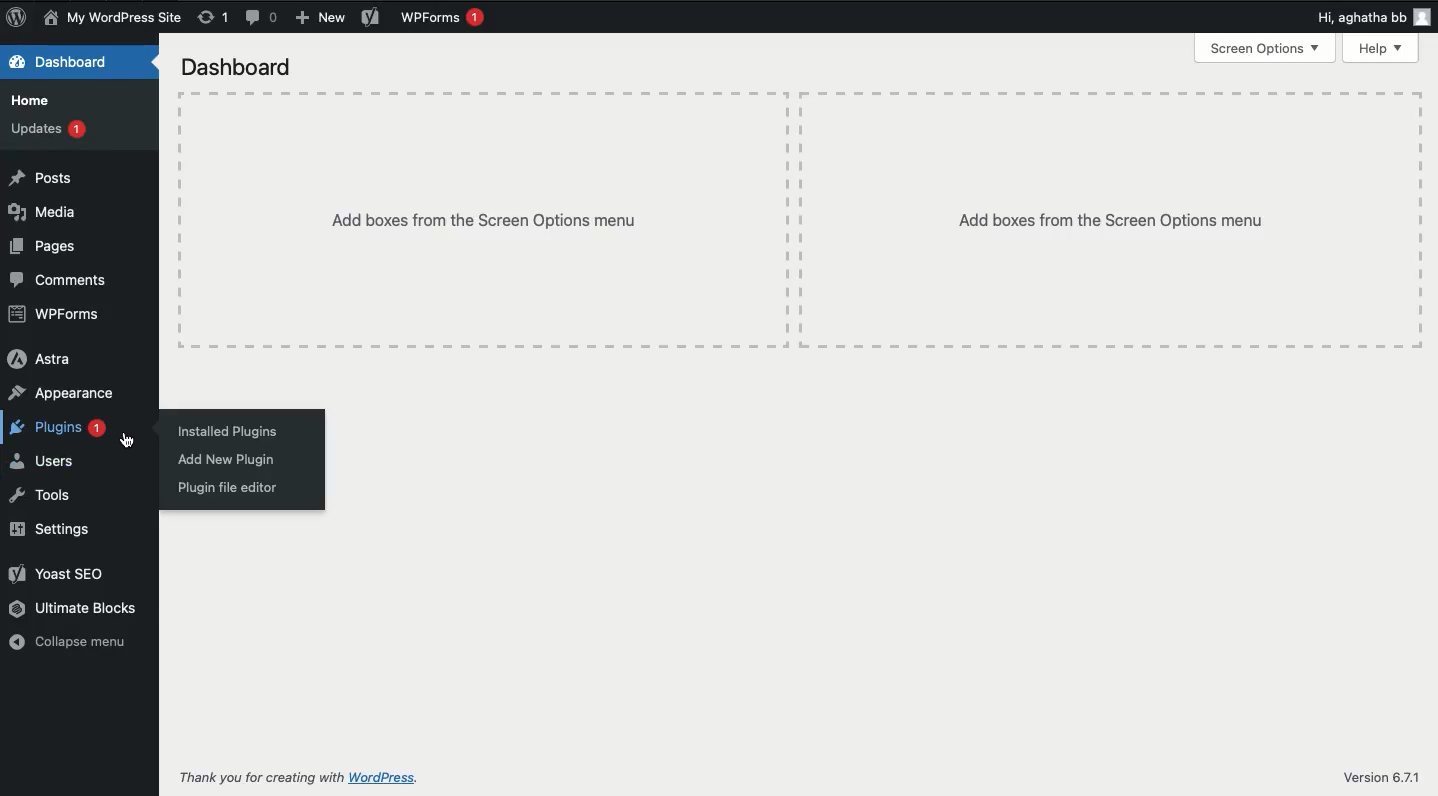 This screenshot has height=796, width=1438. Describe the element at coordinates (41, 358) in the screenshot. I see `Astra` at that location.